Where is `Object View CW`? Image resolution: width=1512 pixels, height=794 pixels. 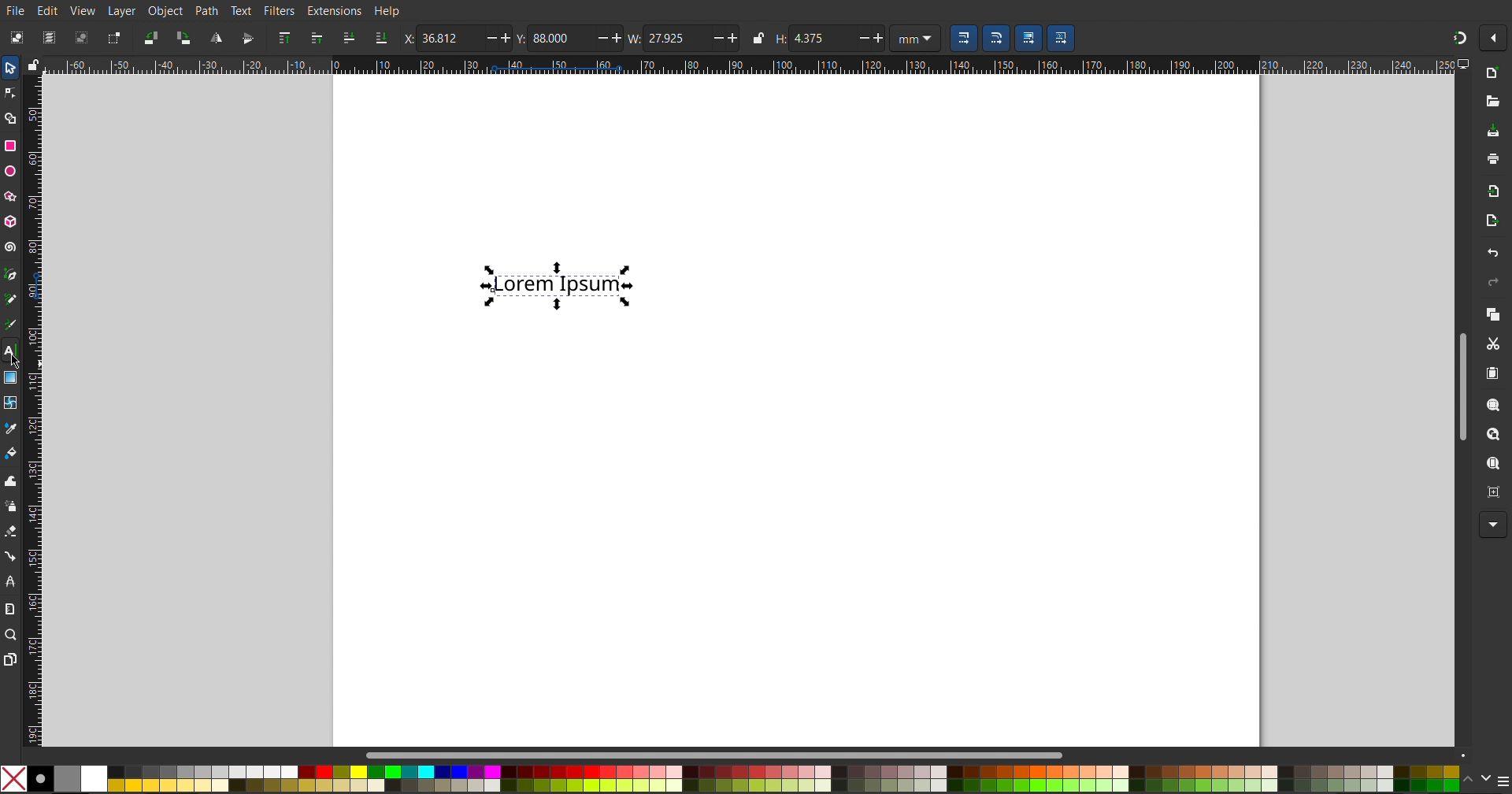 Object View CW is located at coordinates (183, 38).